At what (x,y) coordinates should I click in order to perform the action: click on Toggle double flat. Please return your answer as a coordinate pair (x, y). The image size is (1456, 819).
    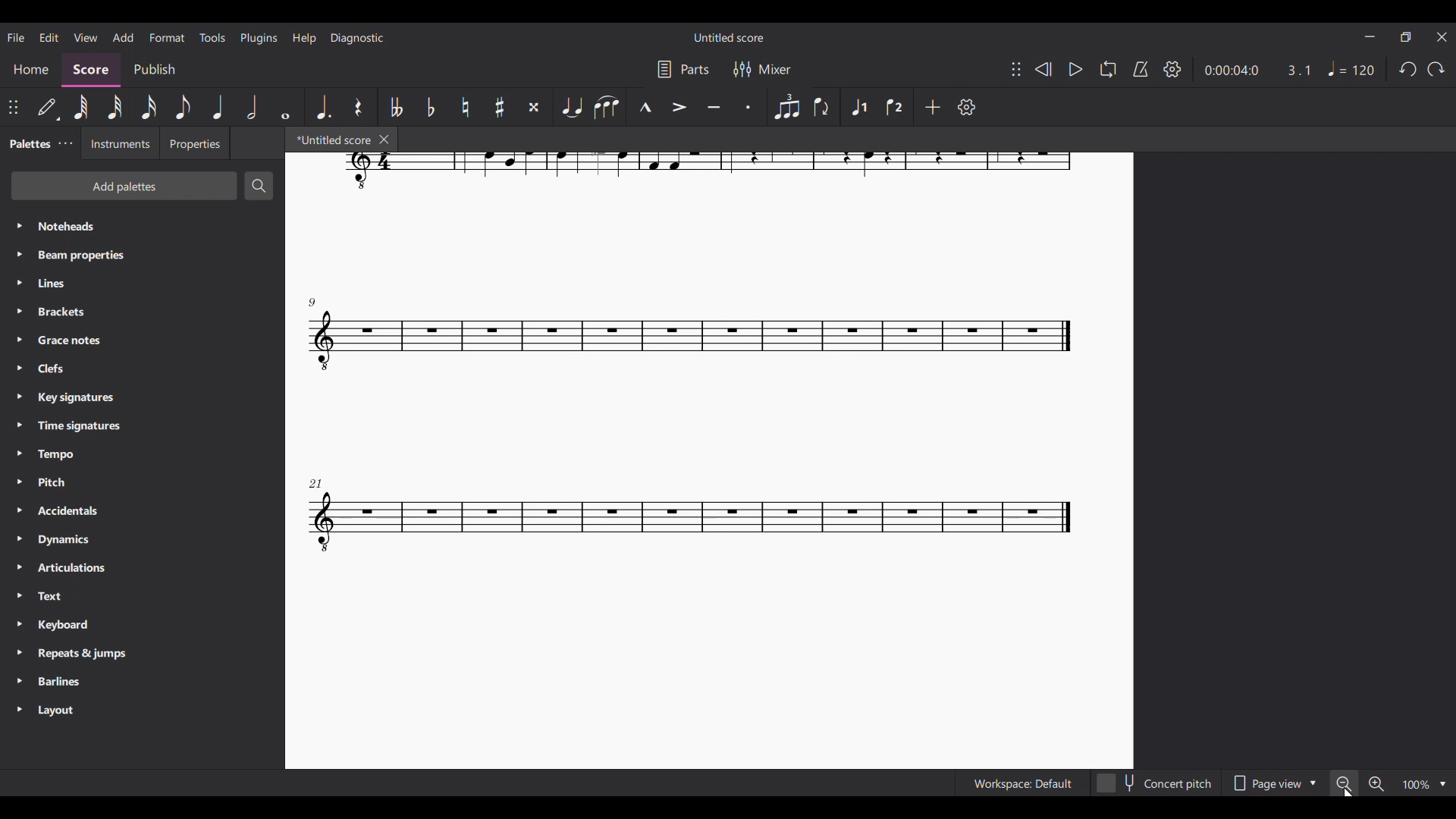
    Looking at the image, I should click on (396, 108).